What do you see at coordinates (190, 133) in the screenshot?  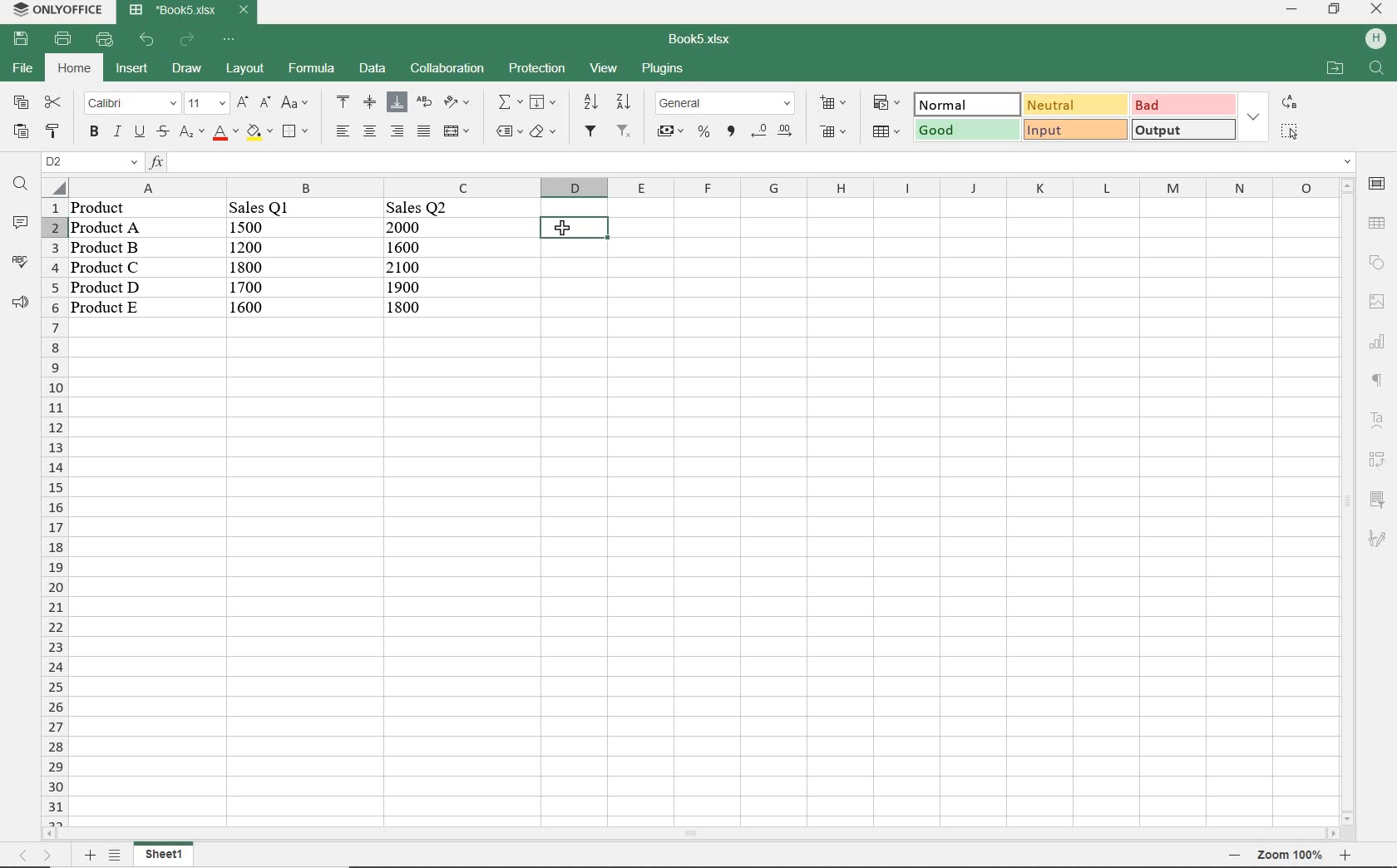 I see `subscript/superscript` at bounding box center [190, 133].